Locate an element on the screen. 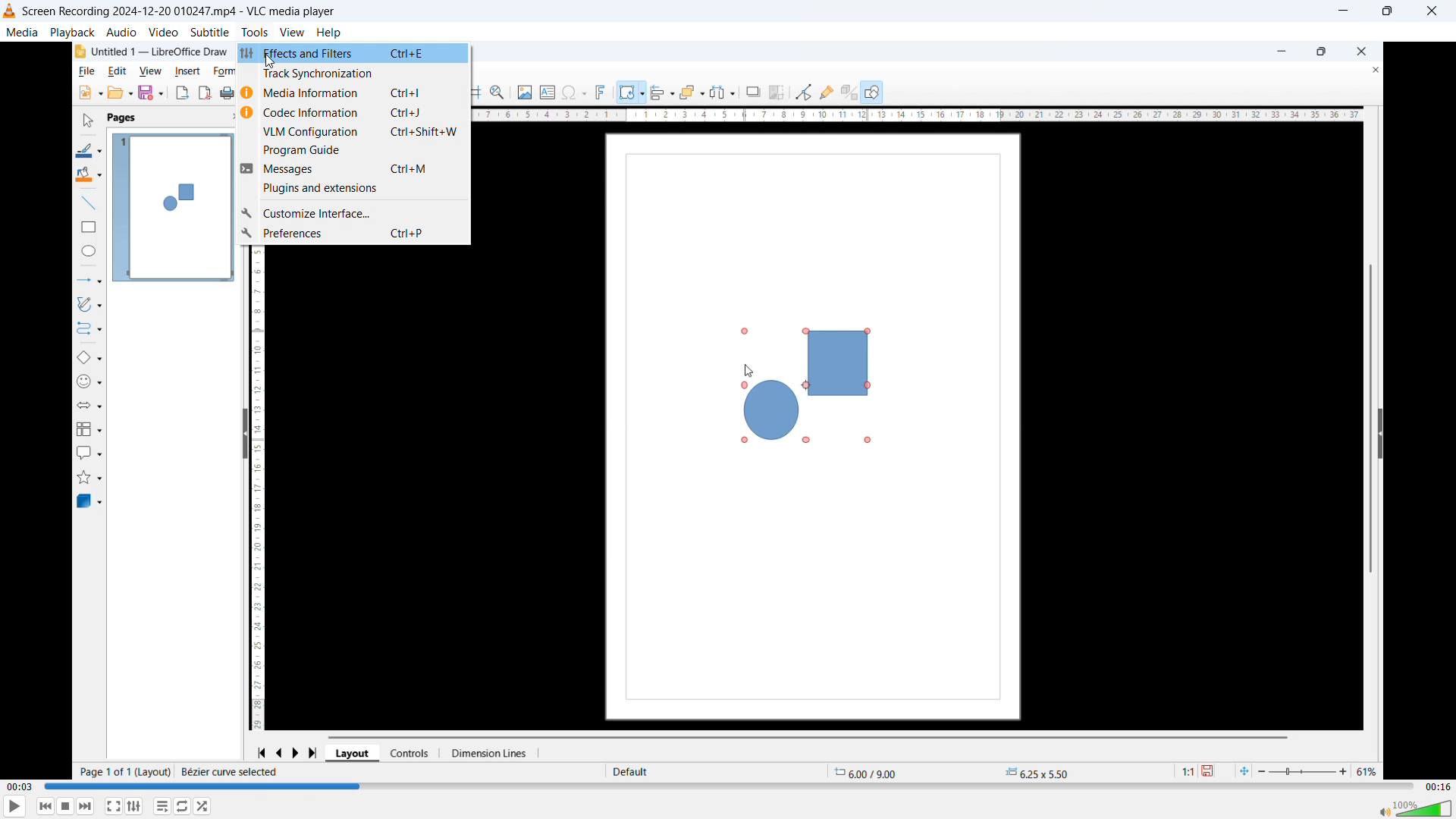 This screenshot has height=819, width=1456. Code information  is located at coordinates (353, 112).